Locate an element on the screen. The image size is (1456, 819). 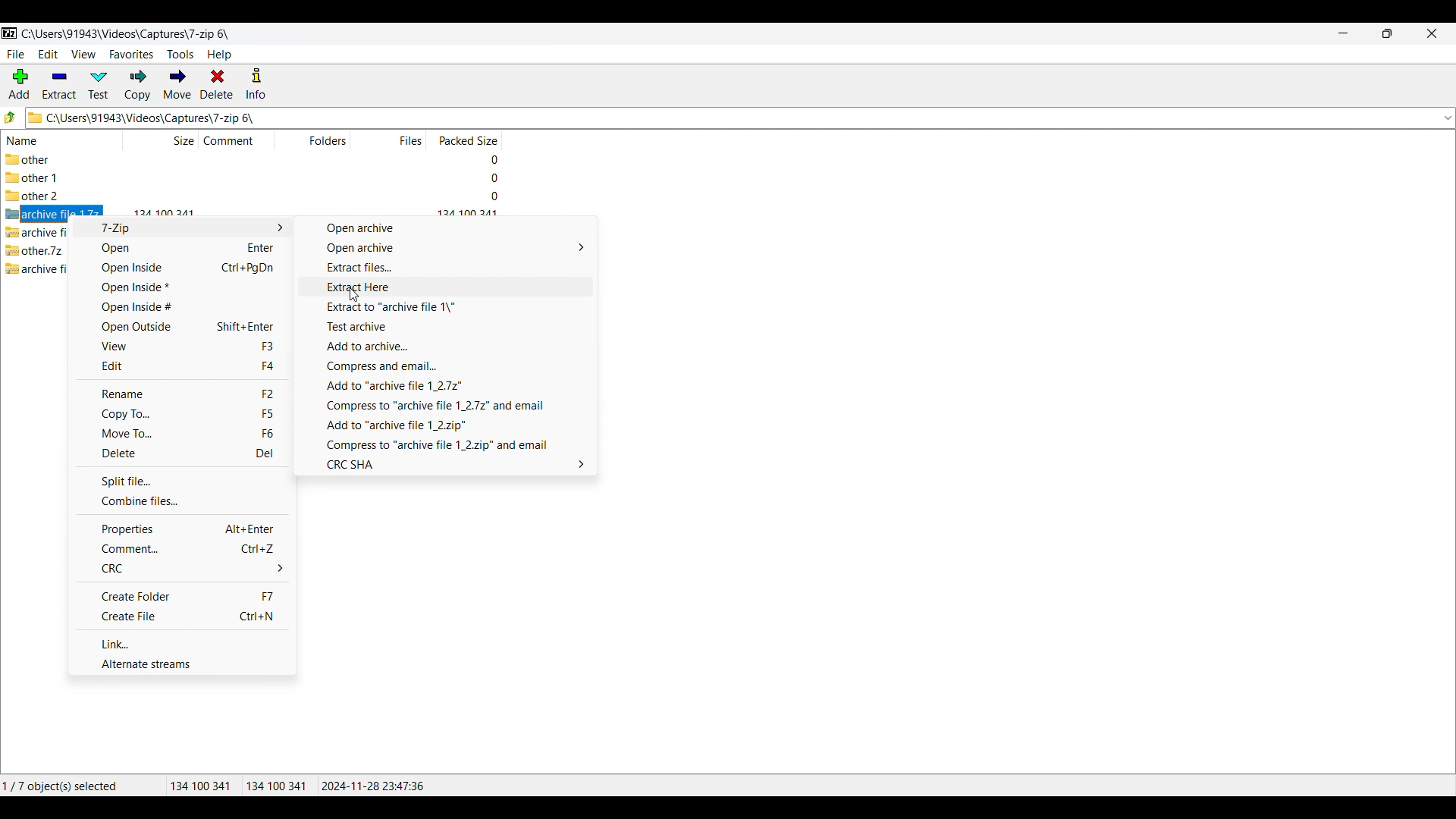
Packed size column is located at coordinates (465, 140).